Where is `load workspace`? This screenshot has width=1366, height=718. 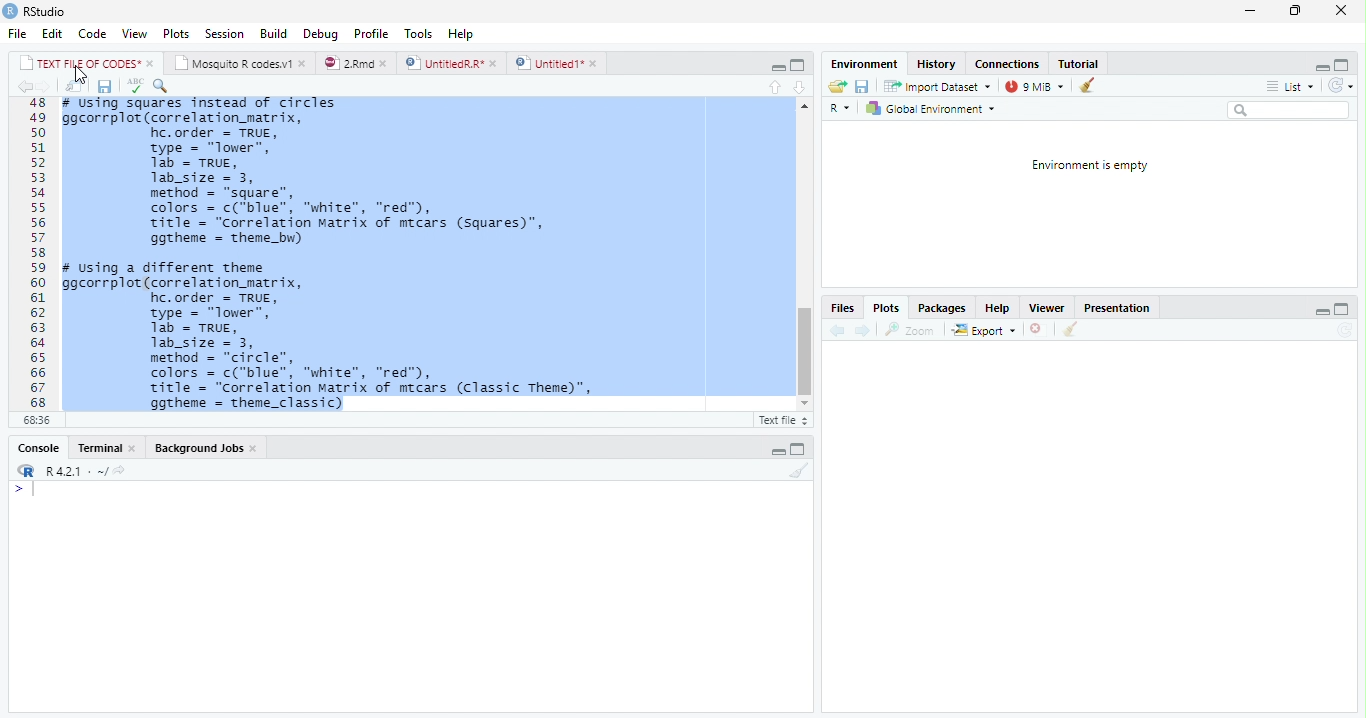 load workspace is located at coordinates (836, 86).